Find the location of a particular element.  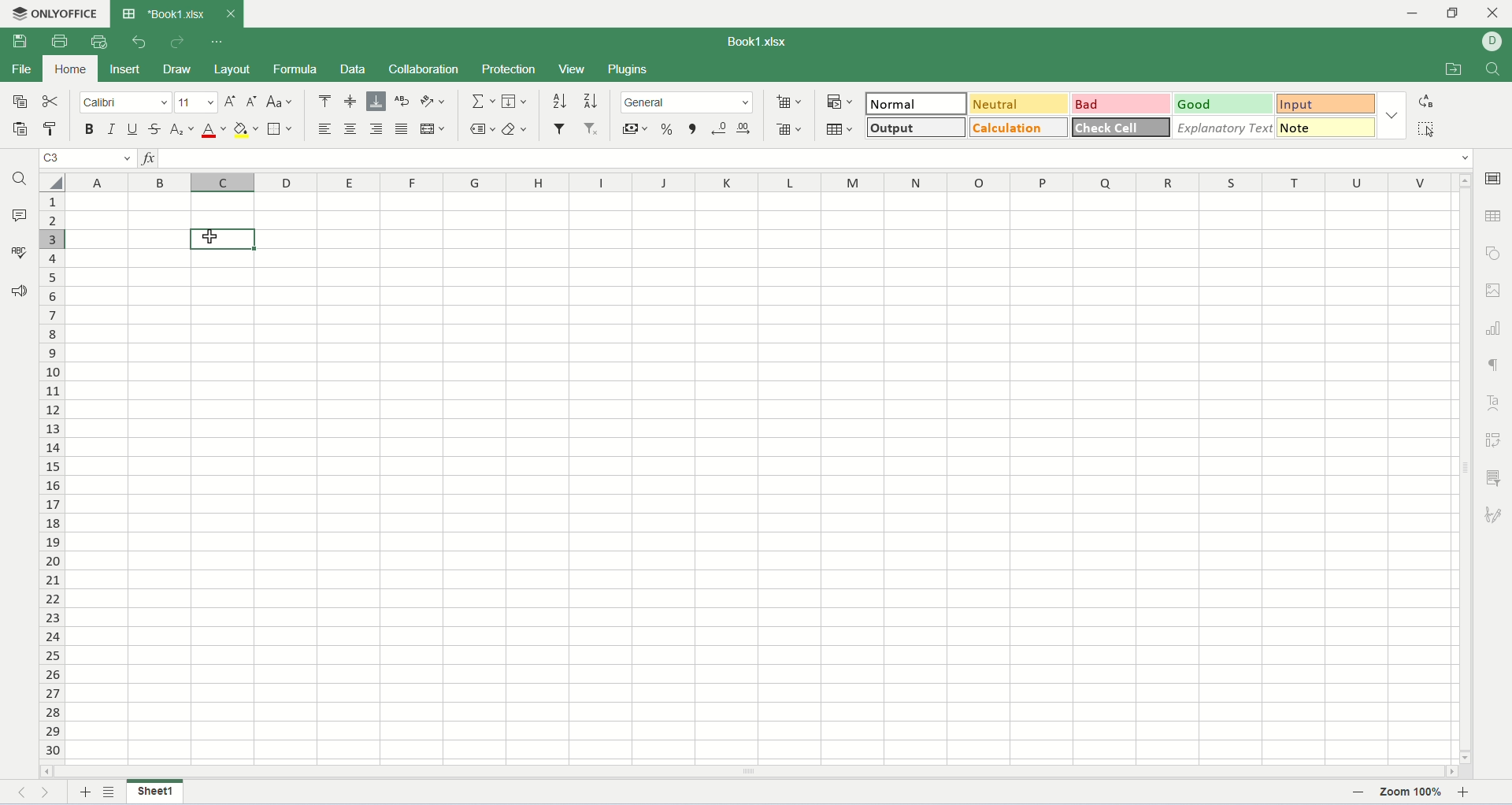

align top is located at coordinates (324, 101).